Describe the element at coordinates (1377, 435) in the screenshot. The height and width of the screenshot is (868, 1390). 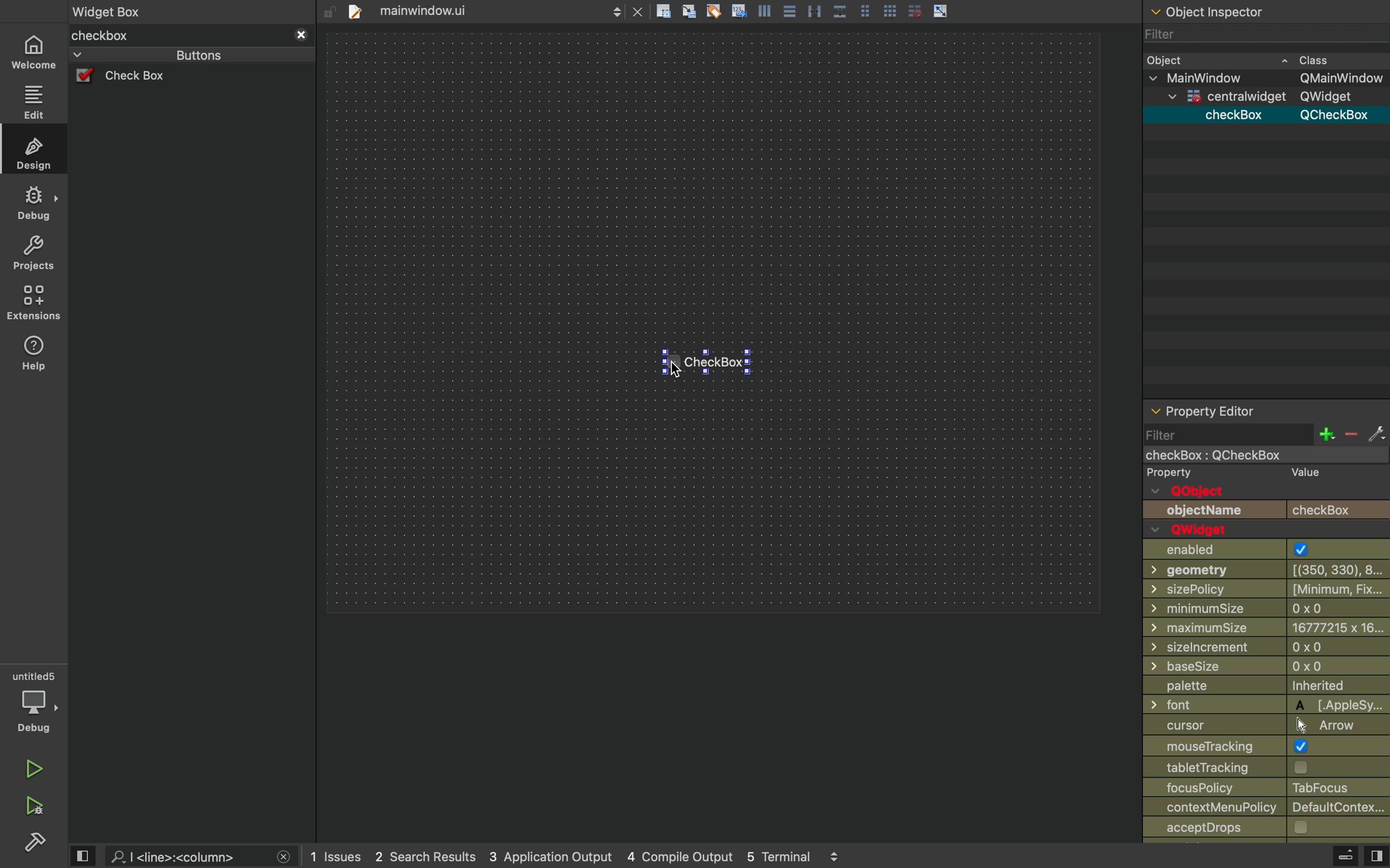
I see `settings` at that location.